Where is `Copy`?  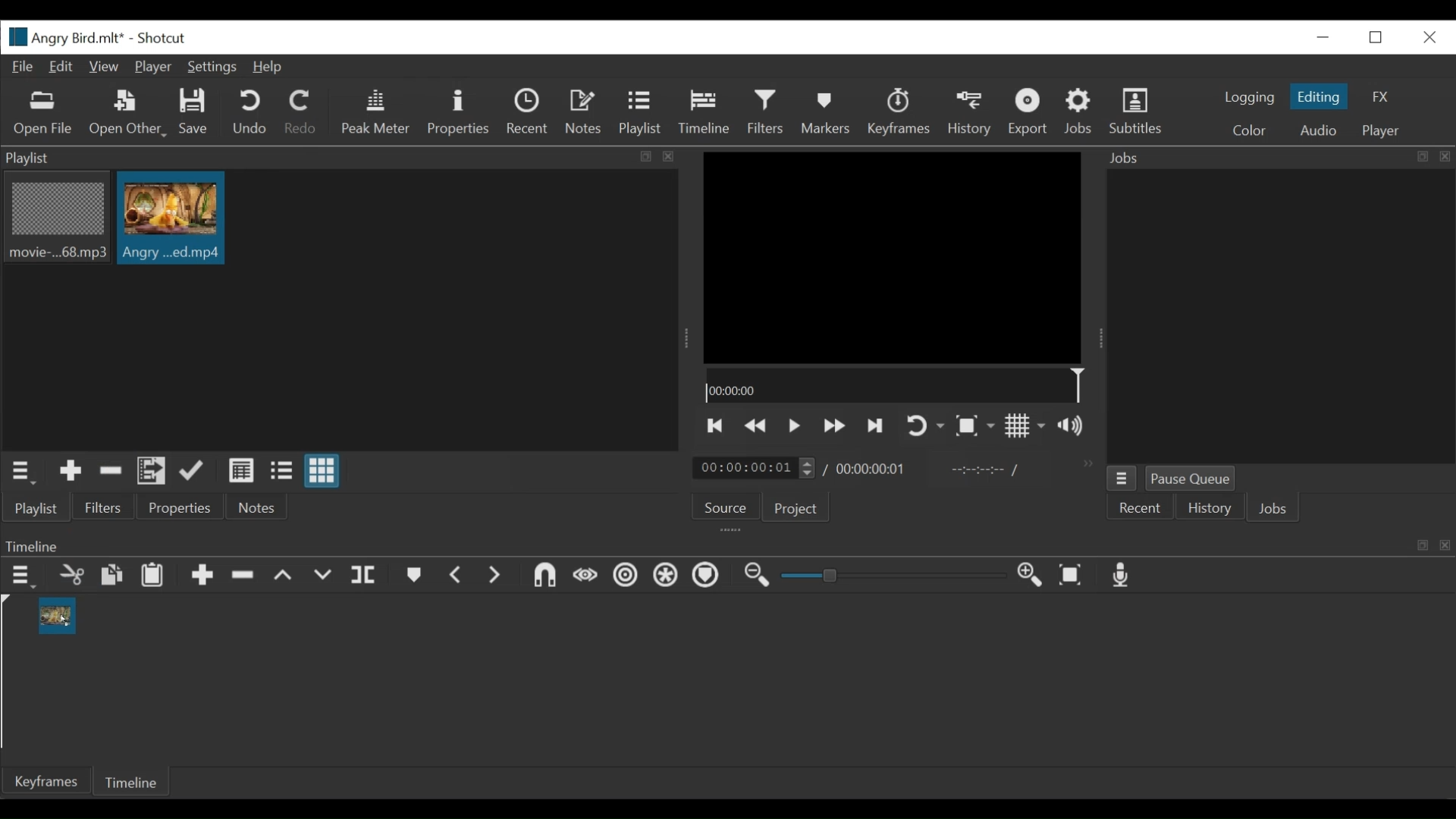 Copy is located at coordinates (113, 577).